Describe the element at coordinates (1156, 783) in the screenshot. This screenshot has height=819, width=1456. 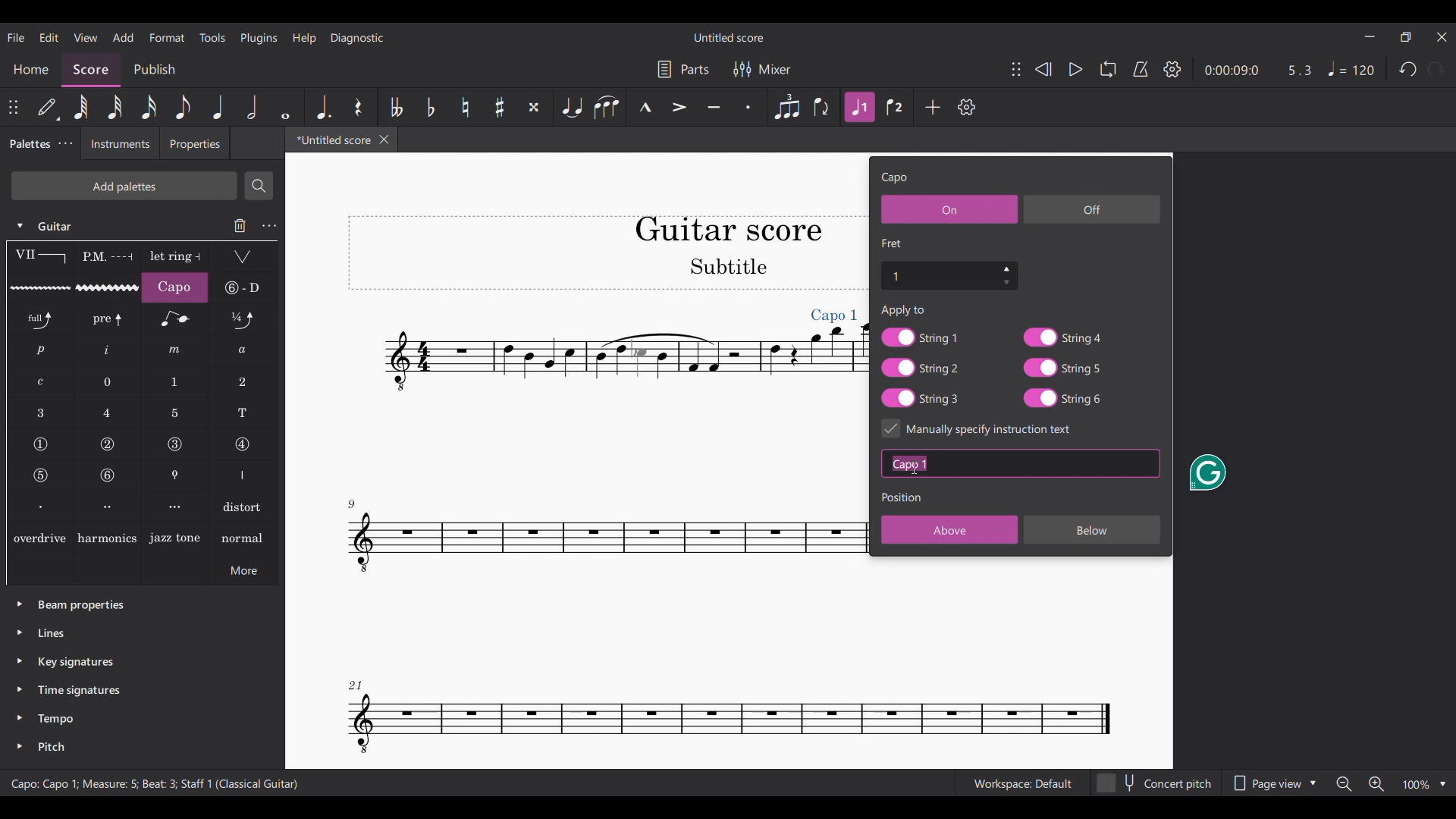
I see `Concert pitch toggle` at that location.